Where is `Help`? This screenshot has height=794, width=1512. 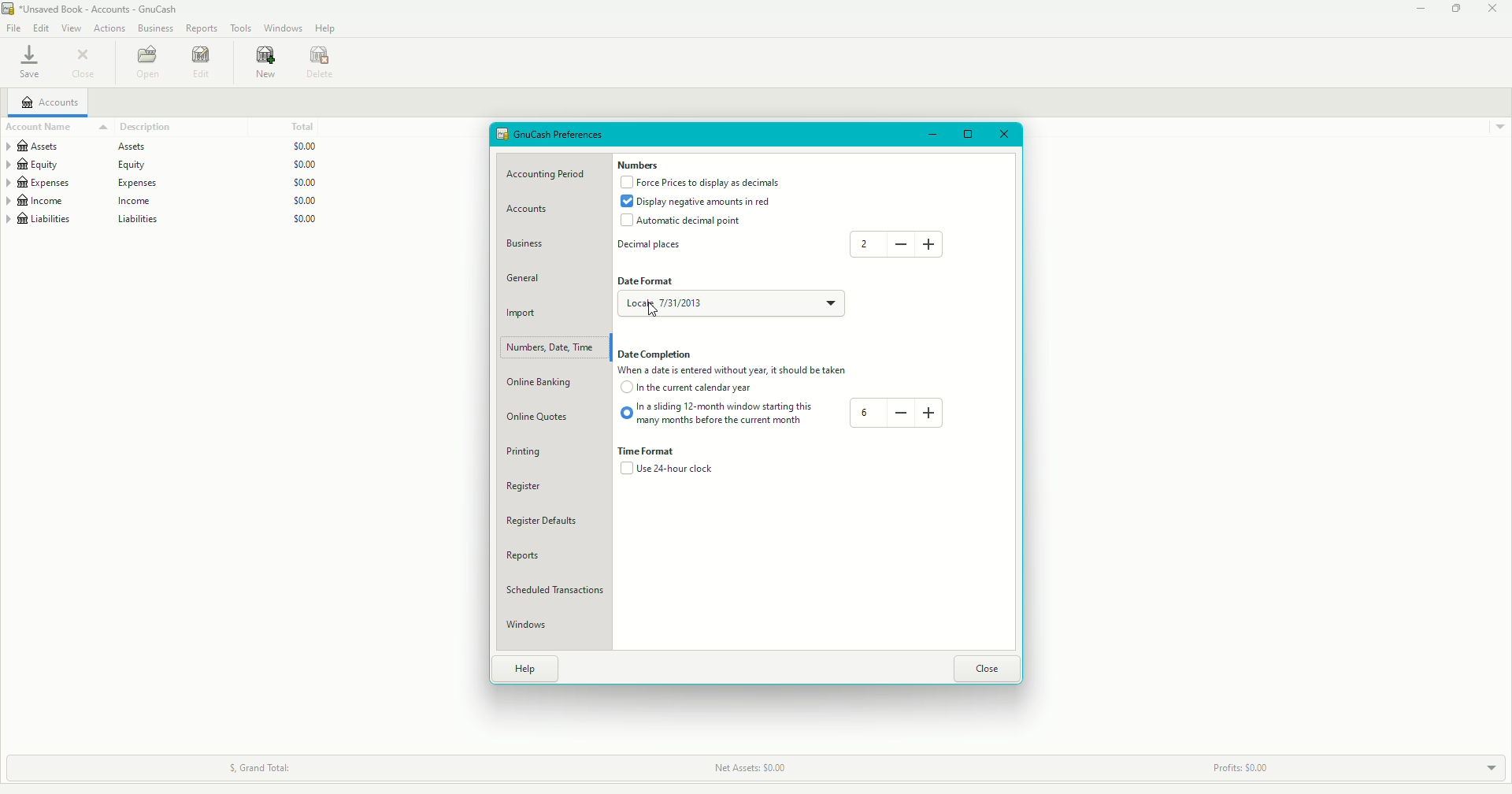 Help is located at coordinates (327, 28).